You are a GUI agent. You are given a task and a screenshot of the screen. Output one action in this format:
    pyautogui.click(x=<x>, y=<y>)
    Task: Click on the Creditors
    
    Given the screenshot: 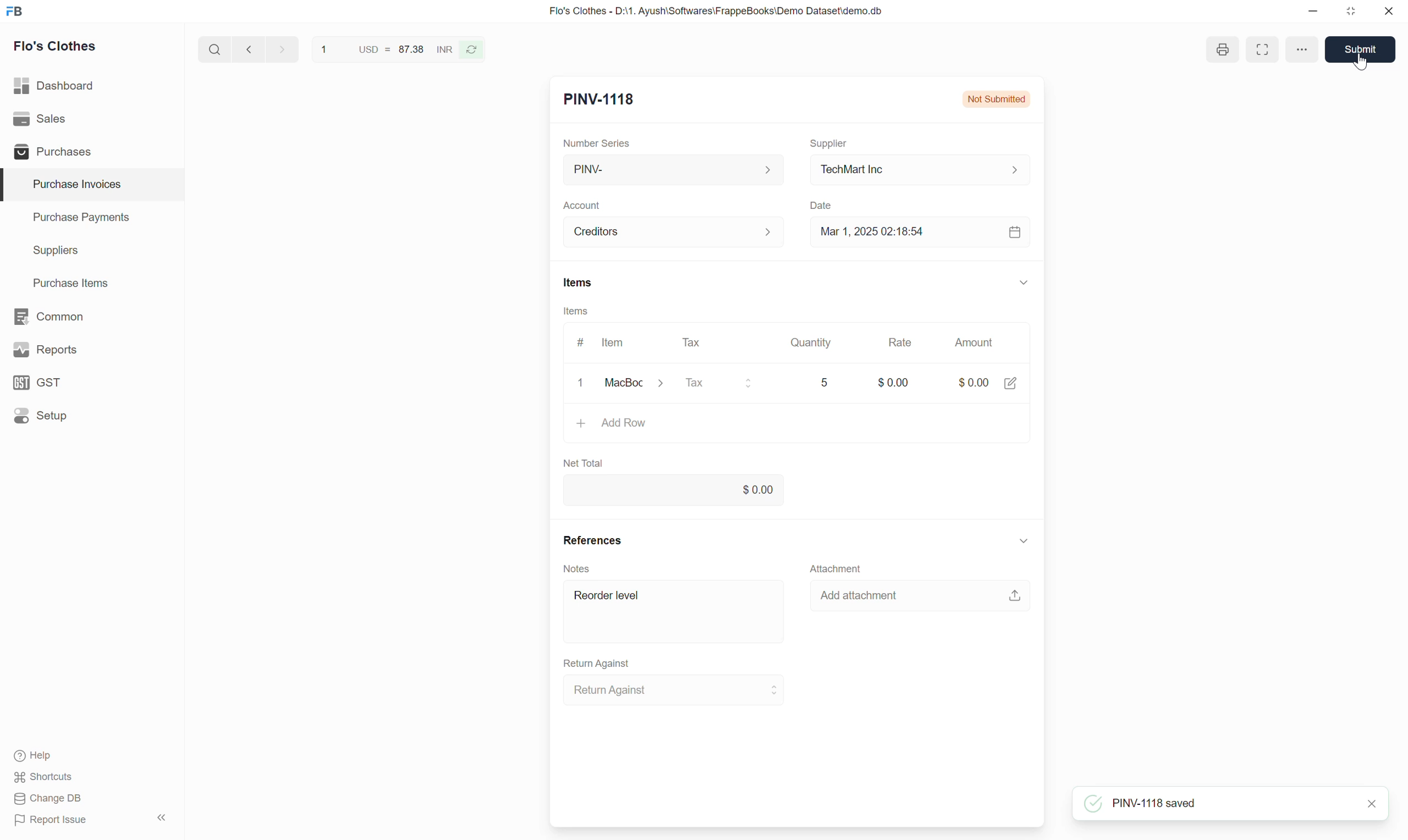 What is the action you would take?
    pyautogui.click(x=675, y=232)
    